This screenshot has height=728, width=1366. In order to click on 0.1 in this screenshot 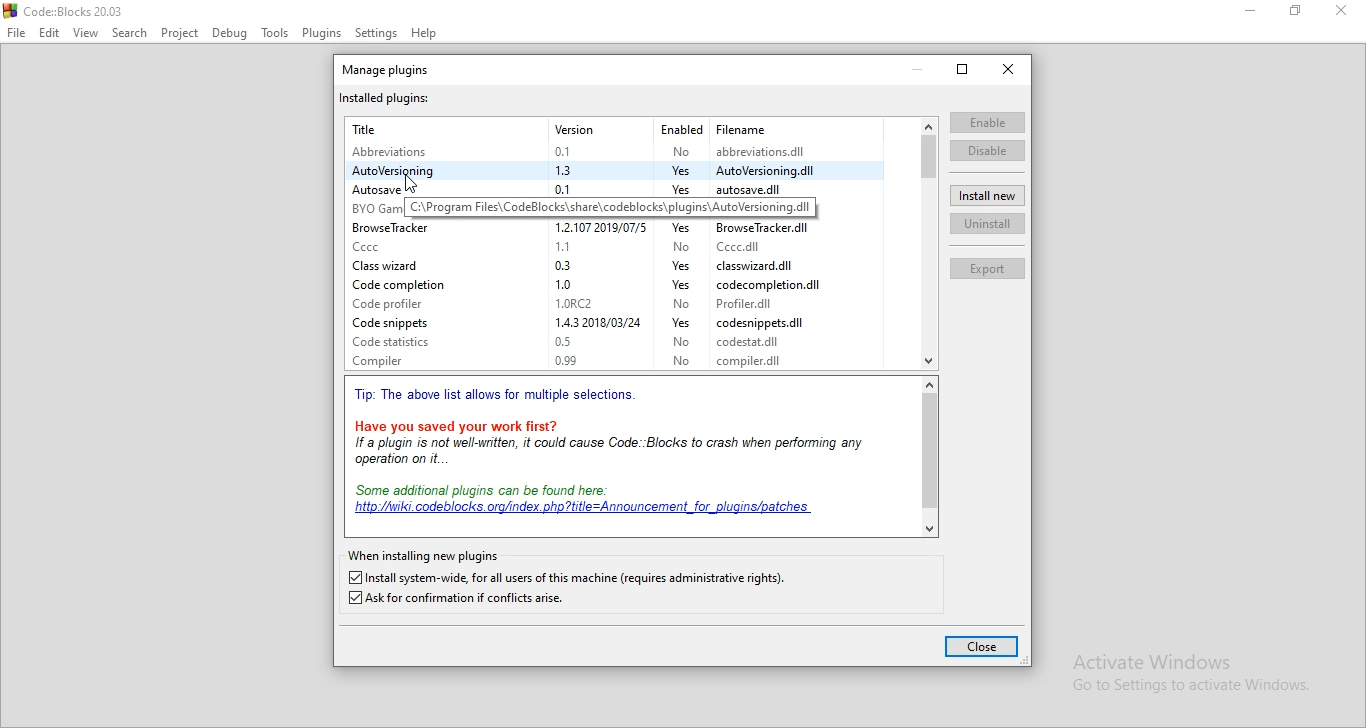, I will do `click(569, 149)`.